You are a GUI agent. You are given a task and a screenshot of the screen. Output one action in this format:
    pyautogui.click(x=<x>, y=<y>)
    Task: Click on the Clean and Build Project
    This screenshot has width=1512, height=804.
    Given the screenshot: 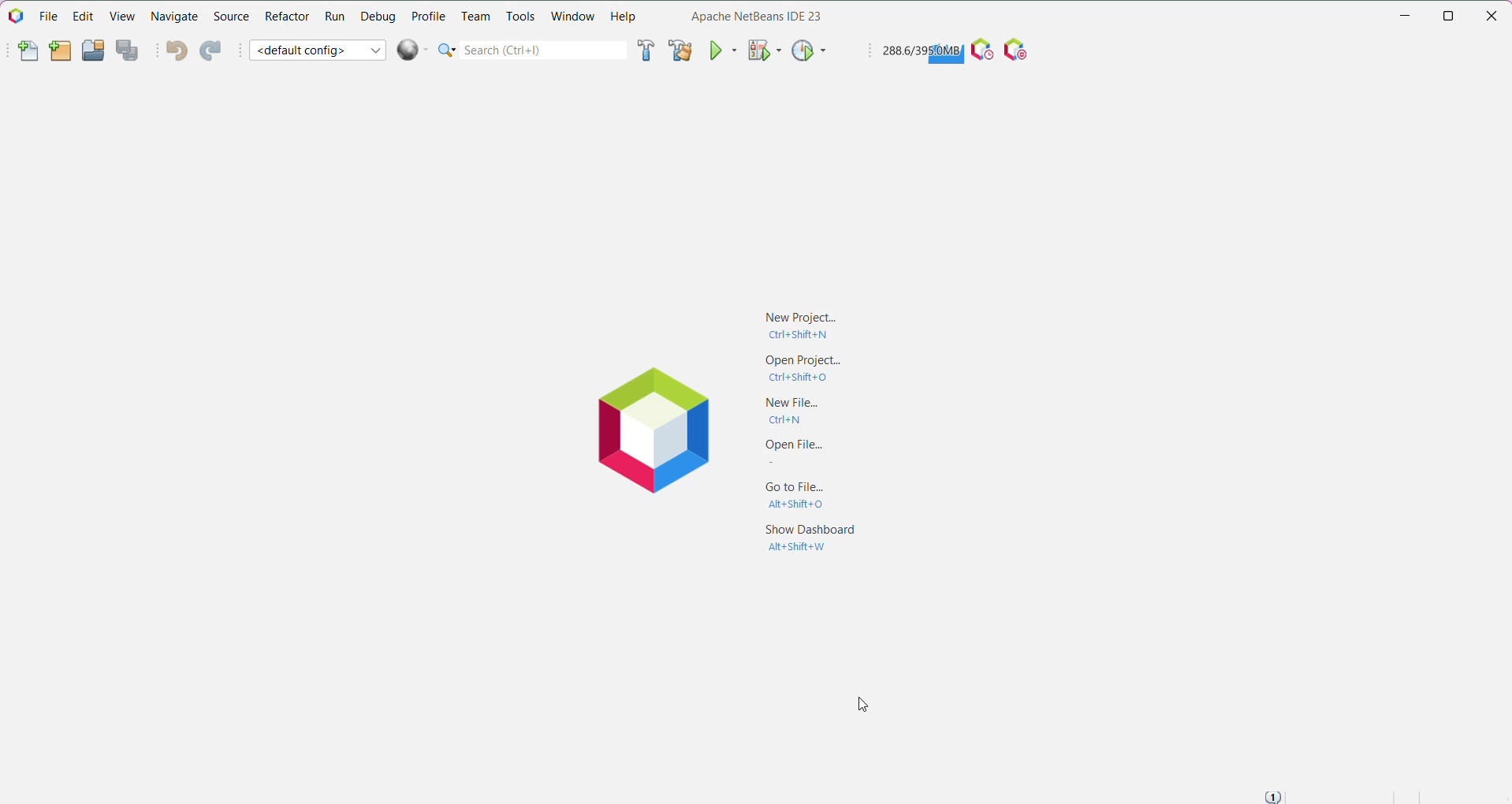 What is the action you would take?
    pyautogui.click(x=680, y=50)
    